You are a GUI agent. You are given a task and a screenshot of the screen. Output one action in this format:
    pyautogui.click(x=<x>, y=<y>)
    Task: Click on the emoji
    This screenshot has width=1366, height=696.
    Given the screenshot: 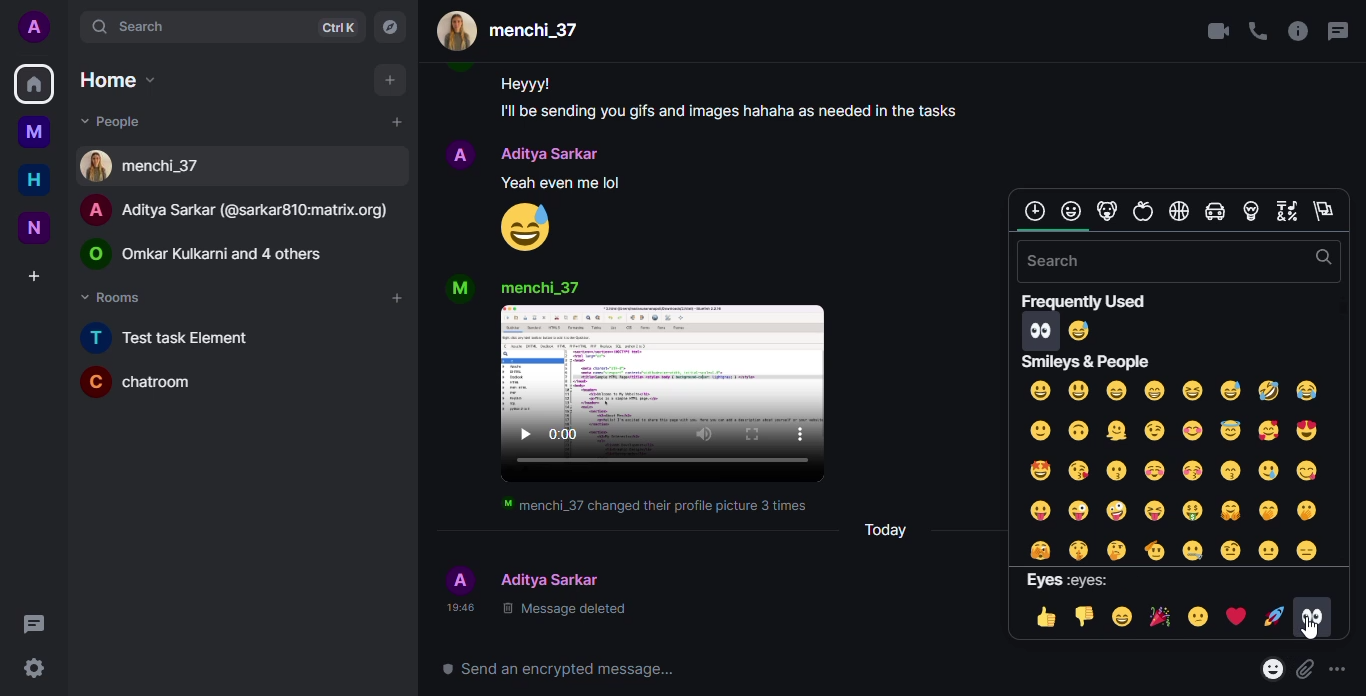 What is the action you would take?
    pyautogui.click(x=525, y=227)
    